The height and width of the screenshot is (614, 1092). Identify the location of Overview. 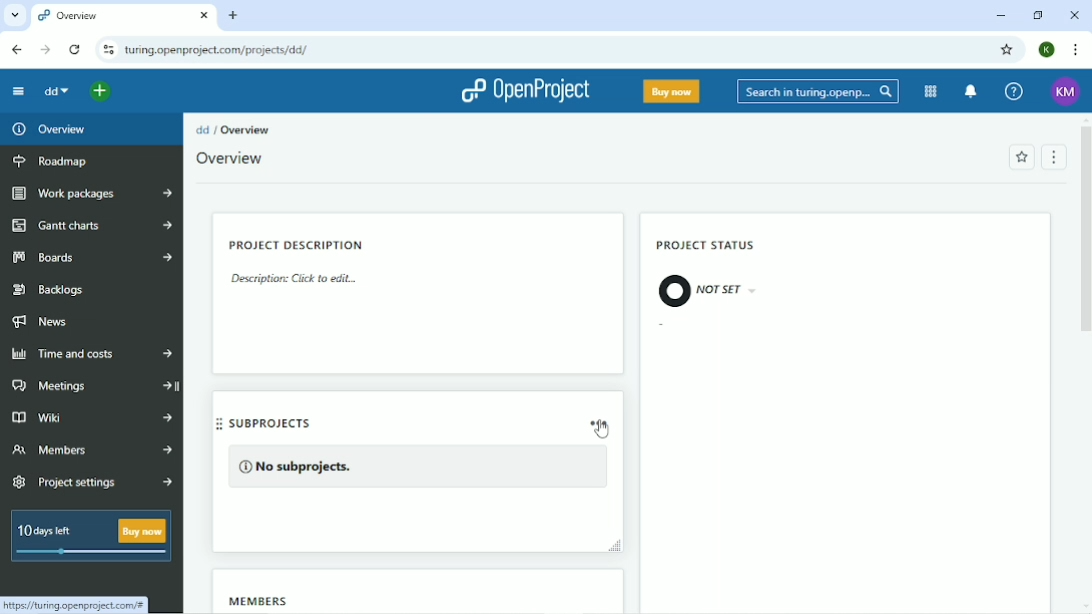
(232, 159).